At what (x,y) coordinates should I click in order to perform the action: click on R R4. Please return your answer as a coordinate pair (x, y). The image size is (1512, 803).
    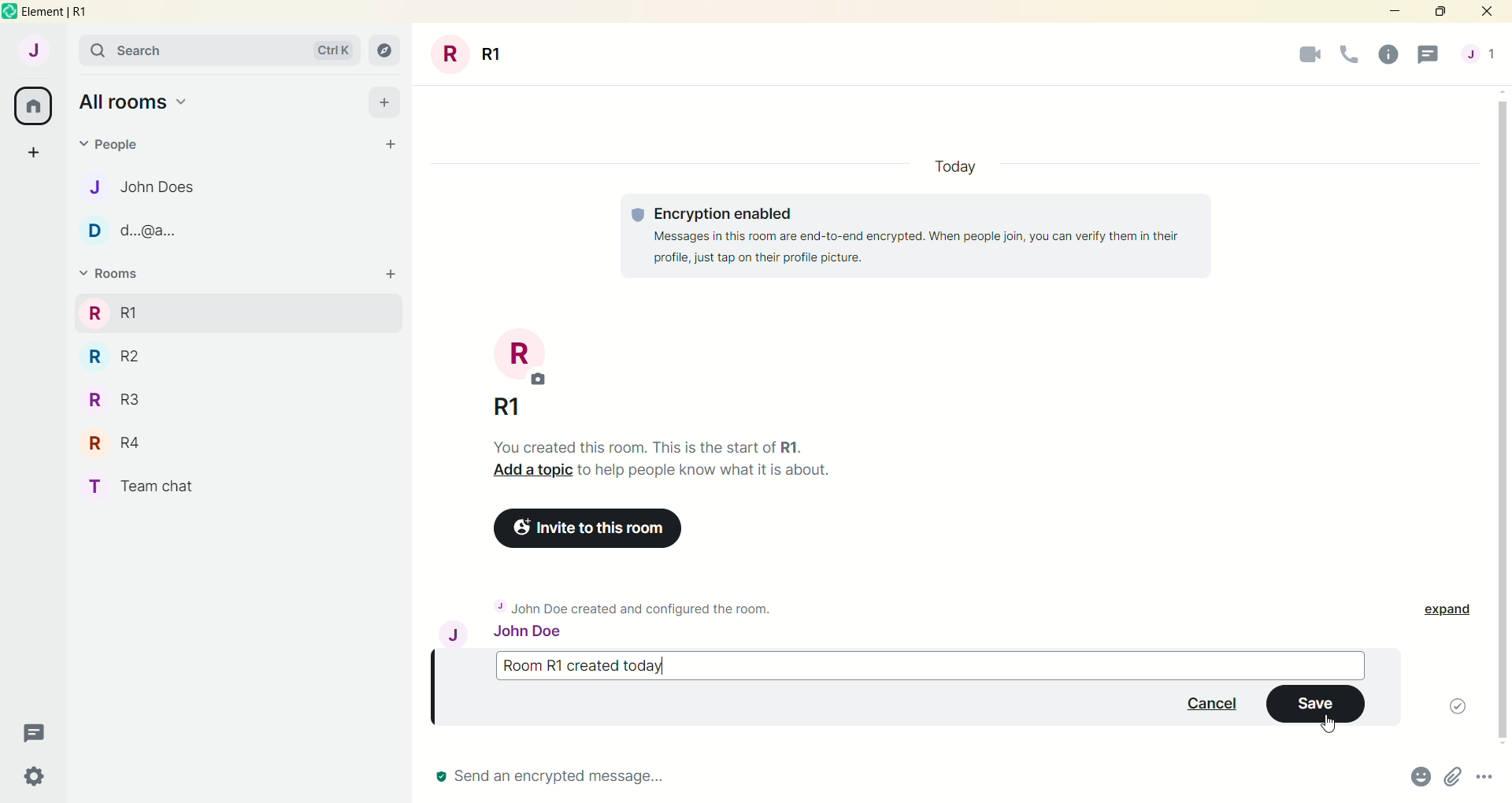
    Looking at the image, I should click on (110, 441).